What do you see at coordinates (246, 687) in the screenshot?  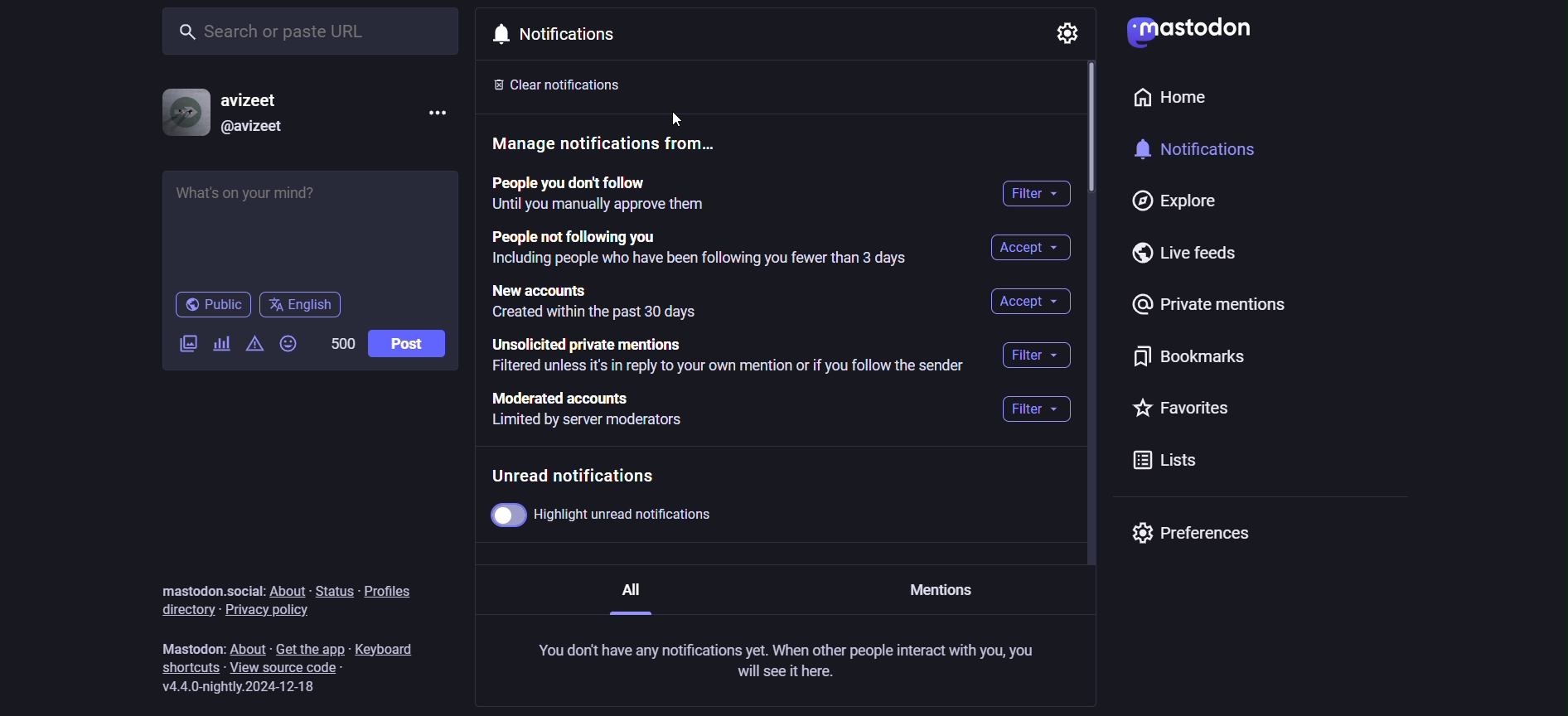 I see `version` at bounding box center [246, 687].